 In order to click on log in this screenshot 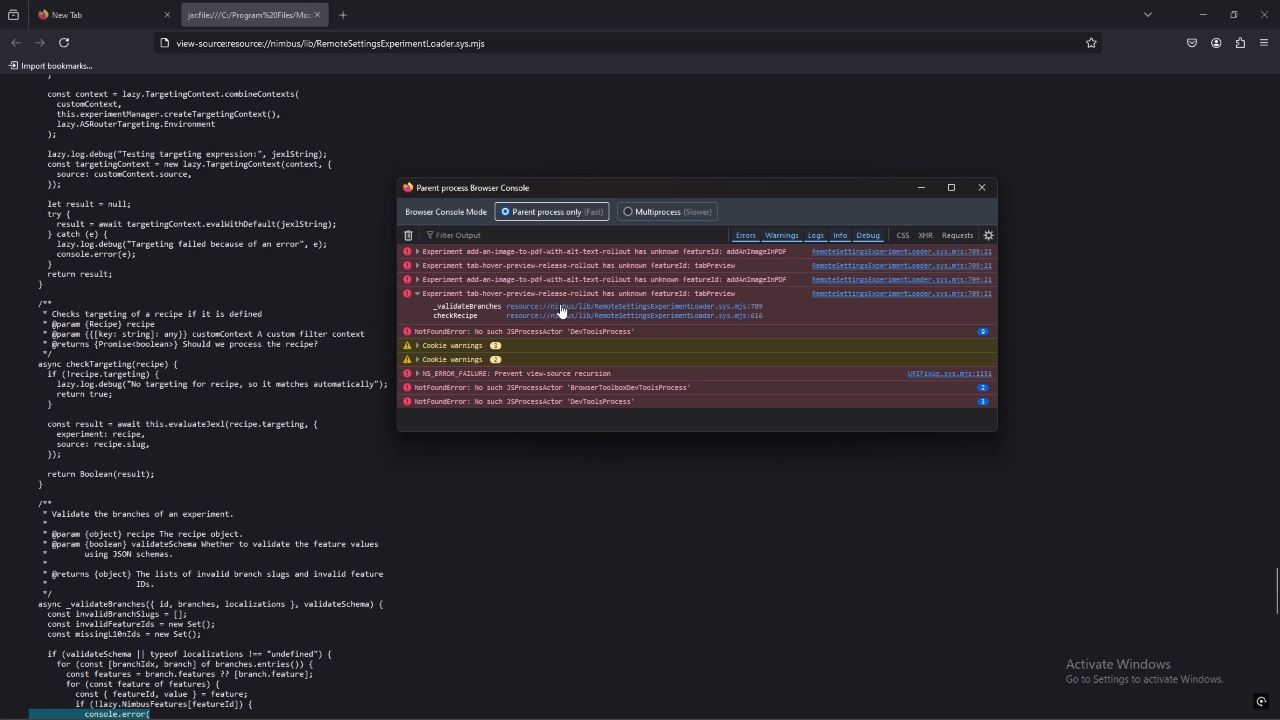, I will do `click(593, 266)`.